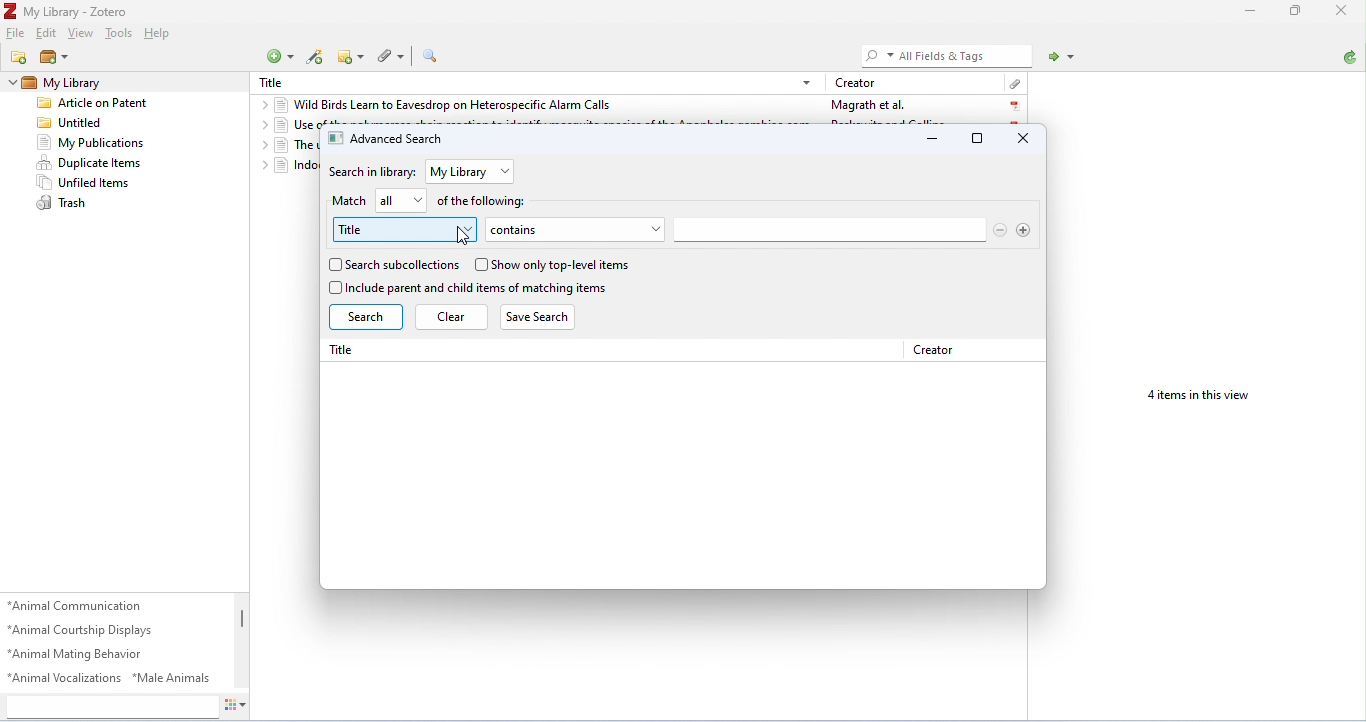 This screenshot has height=722, width=1366. I want to click on animal mating behavior, so click(77, 654).